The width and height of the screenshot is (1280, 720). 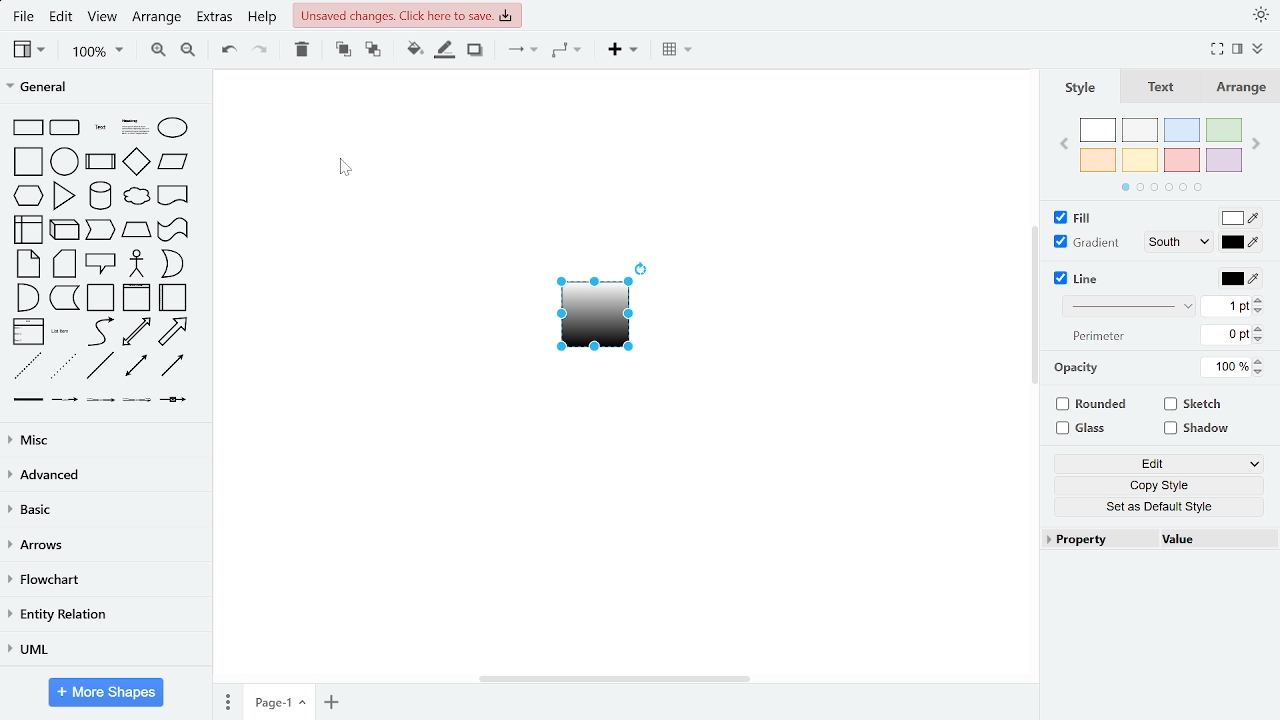 I want to click on cursor, so click(x=346, y=168).